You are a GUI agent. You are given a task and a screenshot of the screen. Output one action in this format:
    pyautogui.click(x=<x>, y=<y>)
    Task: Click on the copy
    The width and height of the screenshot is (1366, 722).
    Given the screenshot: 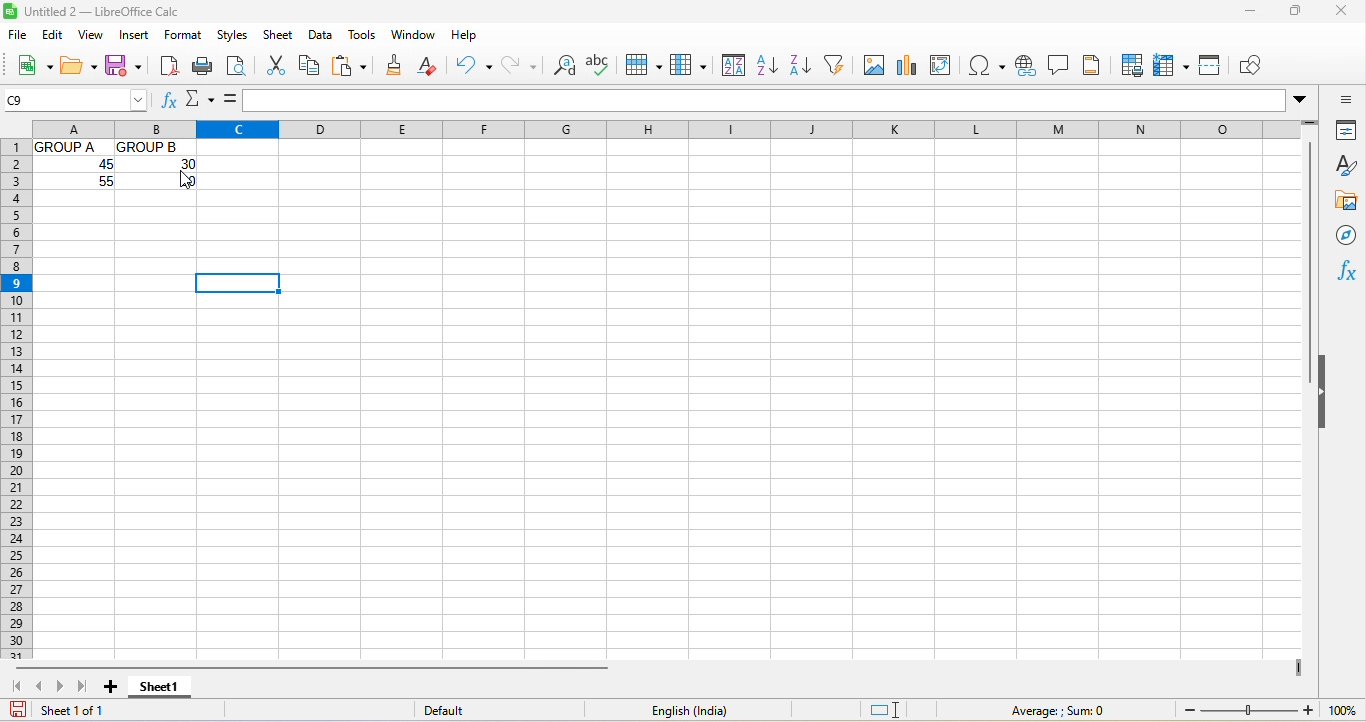 What is the action you would take?
    pyautogui.click(x=311, y=66)
    